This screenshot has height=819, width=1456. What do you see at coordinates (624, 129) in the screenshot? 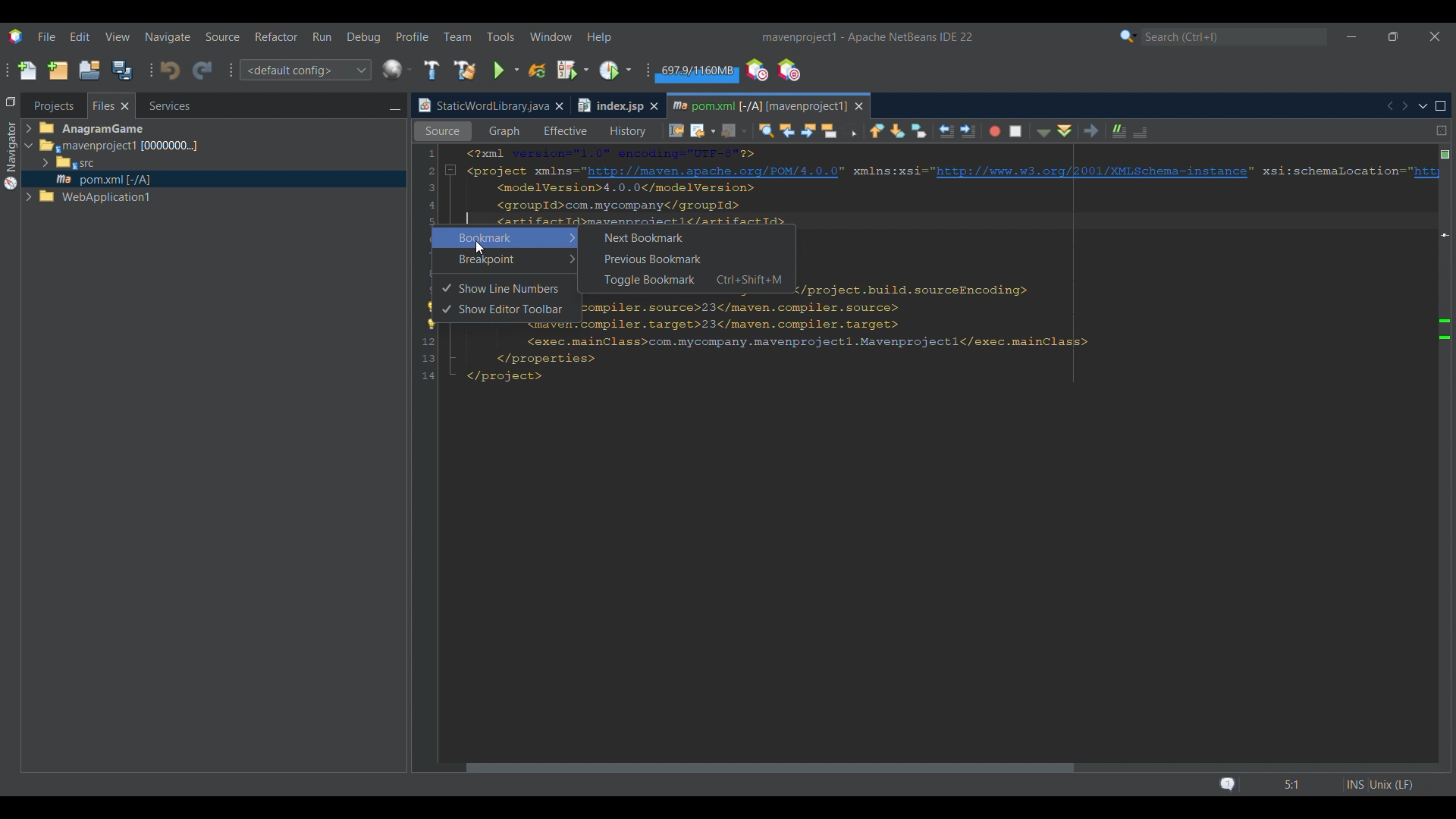
I see `History view` at bounding box center [624, 129].